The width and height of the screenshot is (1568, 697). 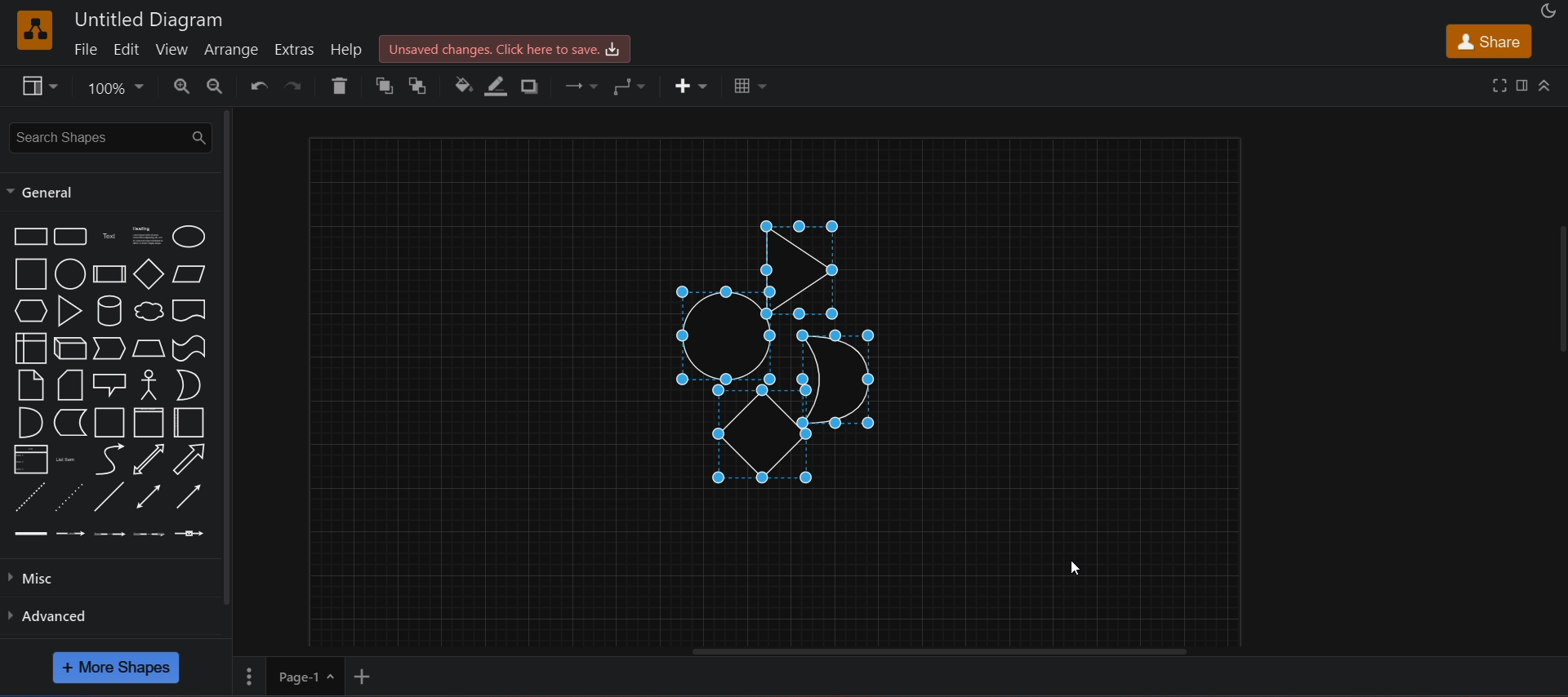 I want to click on arrow, so click(x=110, y=459).